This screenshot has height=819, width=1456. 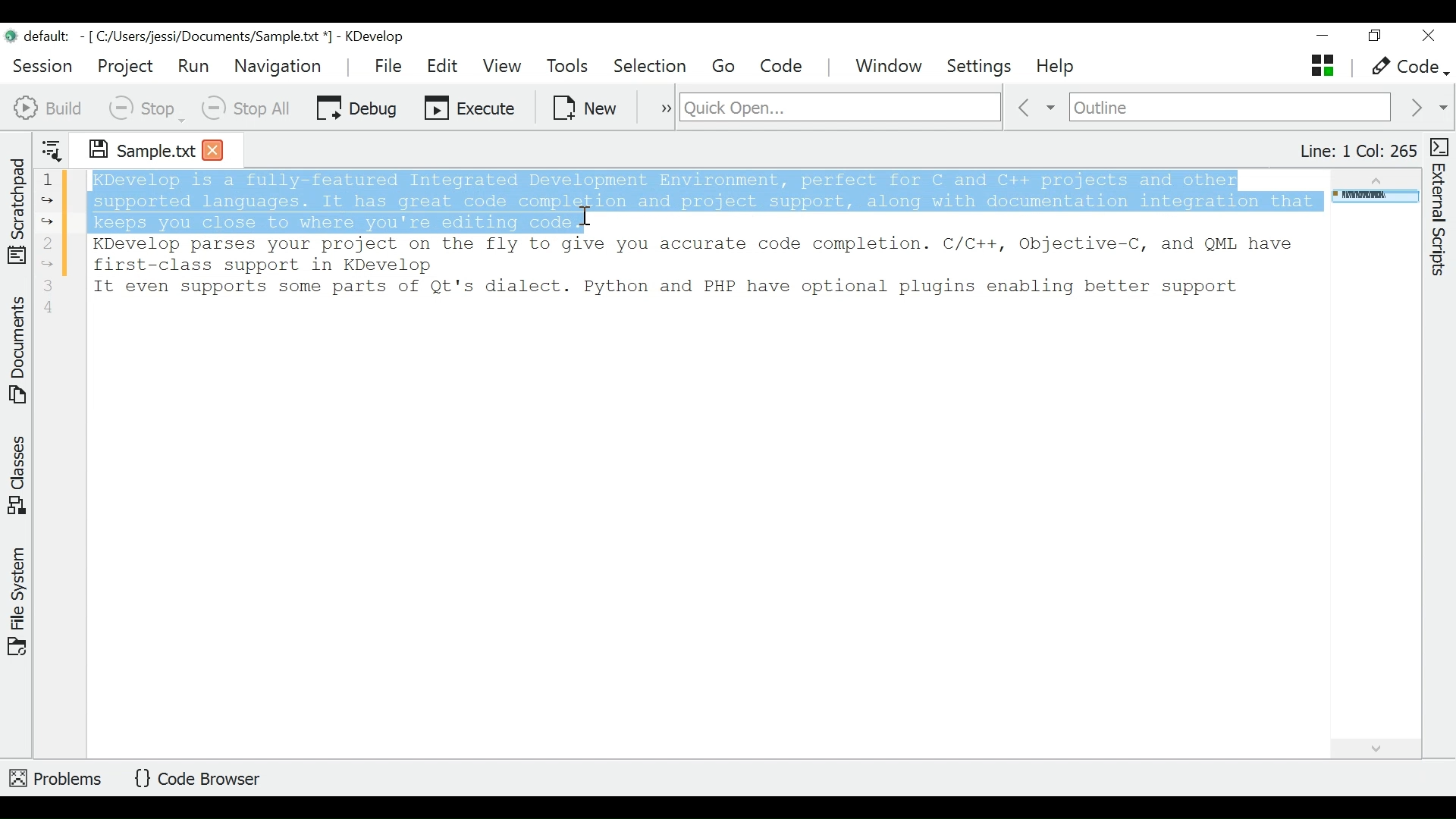 What do you see at coordinates (20, 353) in the screenshot?
I see `Documents` at bounding box center [20, 353].